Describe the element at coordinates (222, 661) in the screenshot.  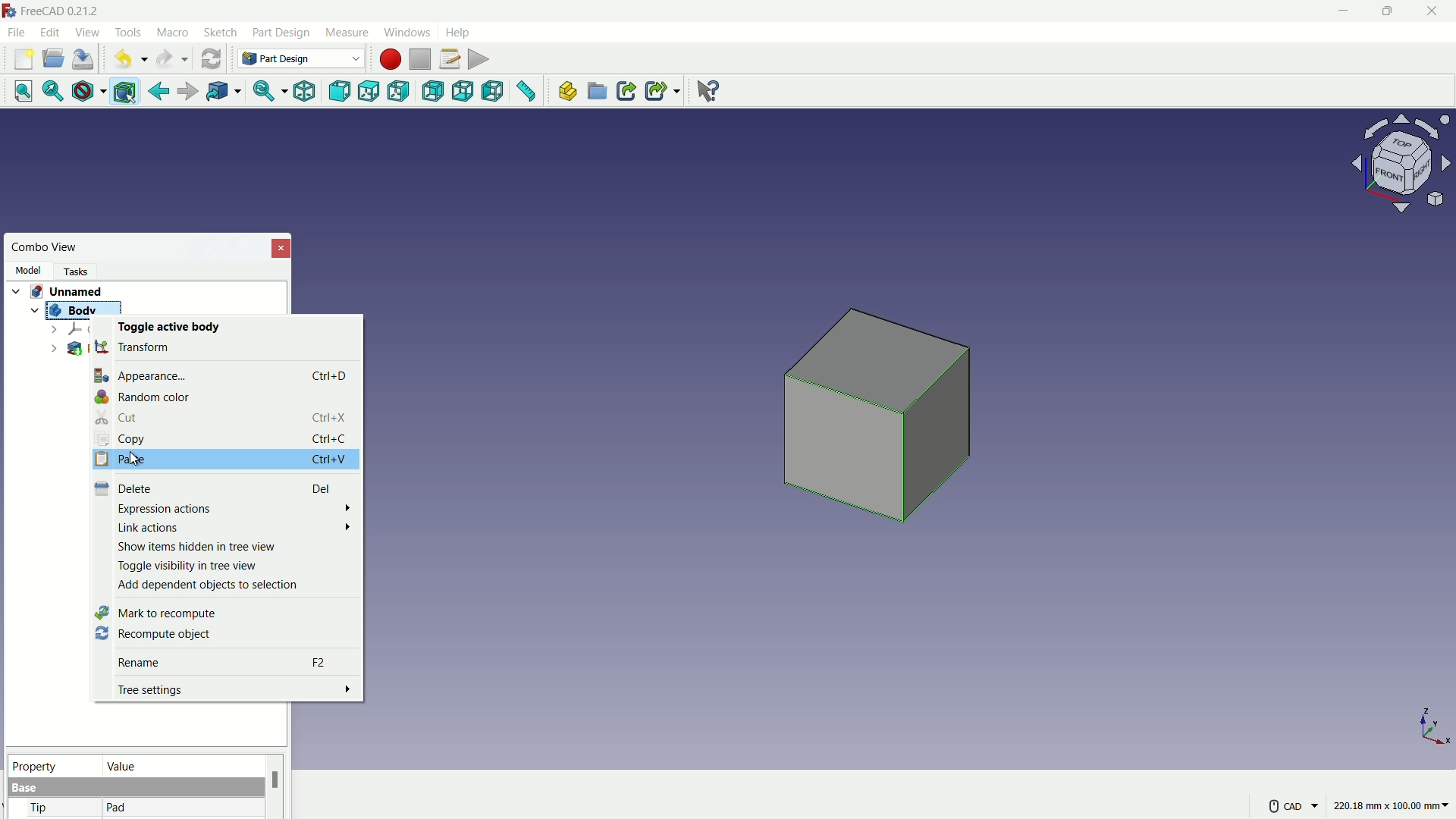
I see `Rename  F2` at that location.